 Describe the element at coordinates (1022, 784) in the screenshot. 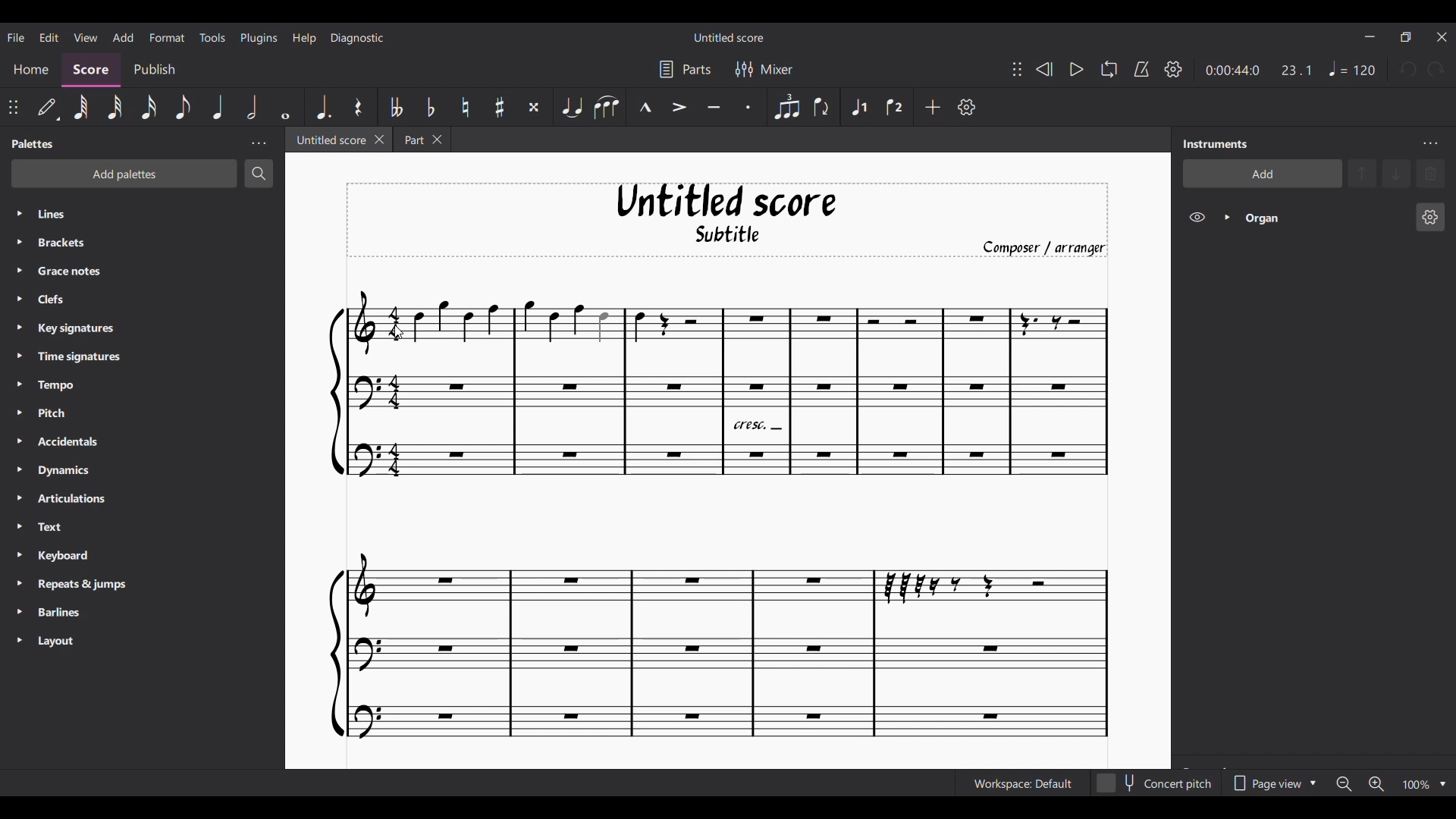

I see `Current workspace setting` at that location.